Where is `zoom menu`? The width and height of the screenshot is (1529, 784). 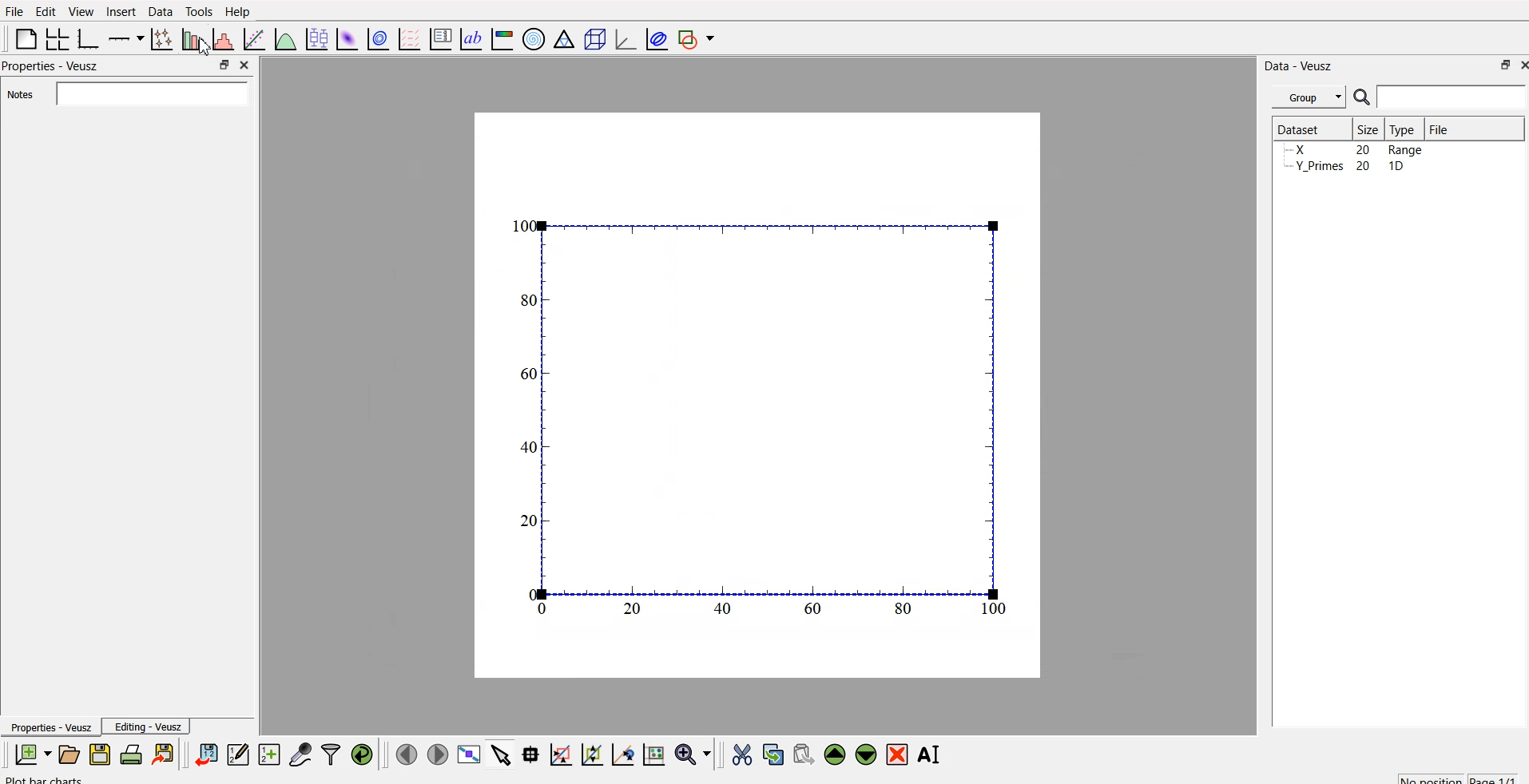
zoom menu is located at coordinates (693, 754).